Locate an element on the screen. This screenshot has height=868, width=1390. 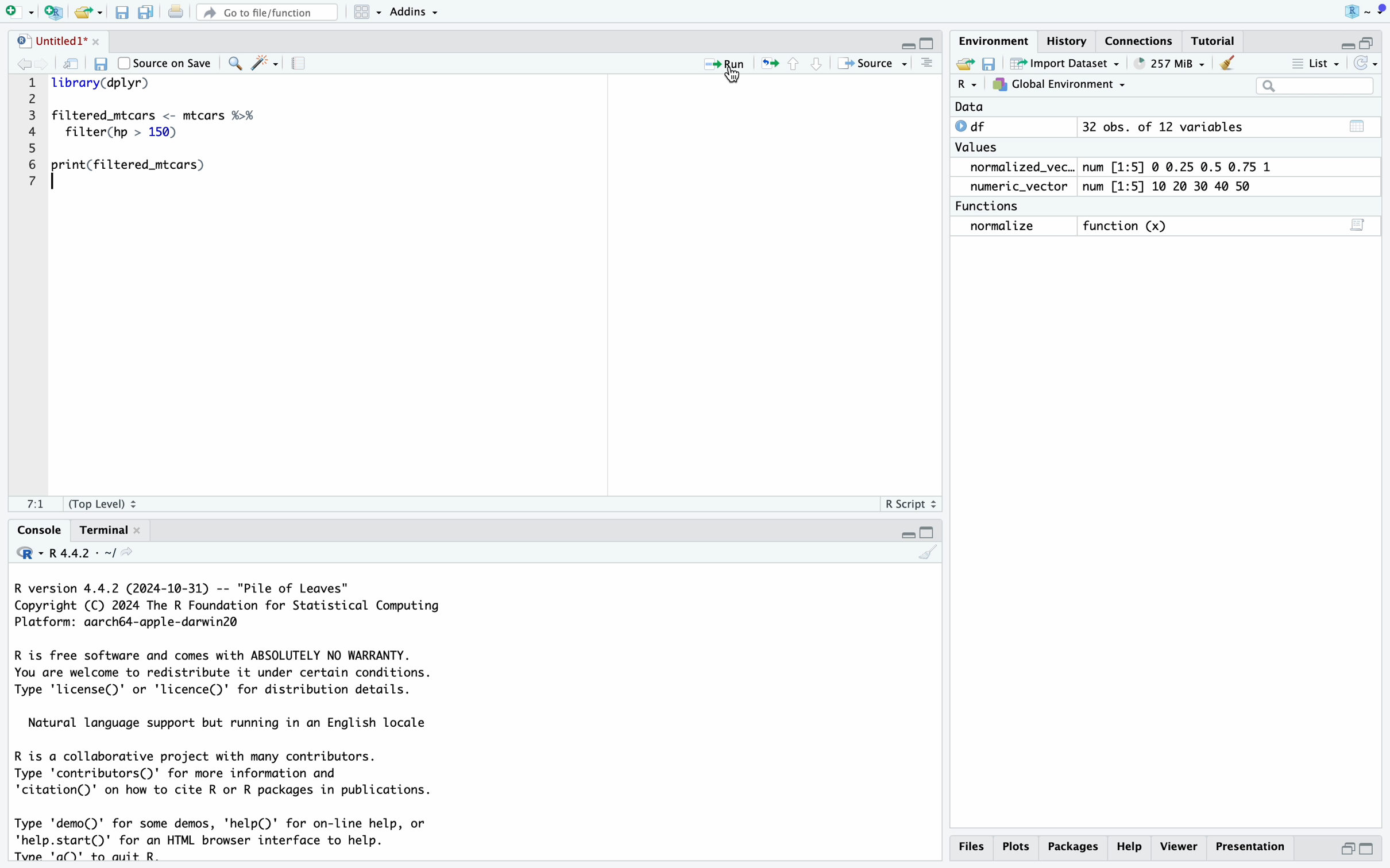
Go to file/function is located at coordinates (267, 13).